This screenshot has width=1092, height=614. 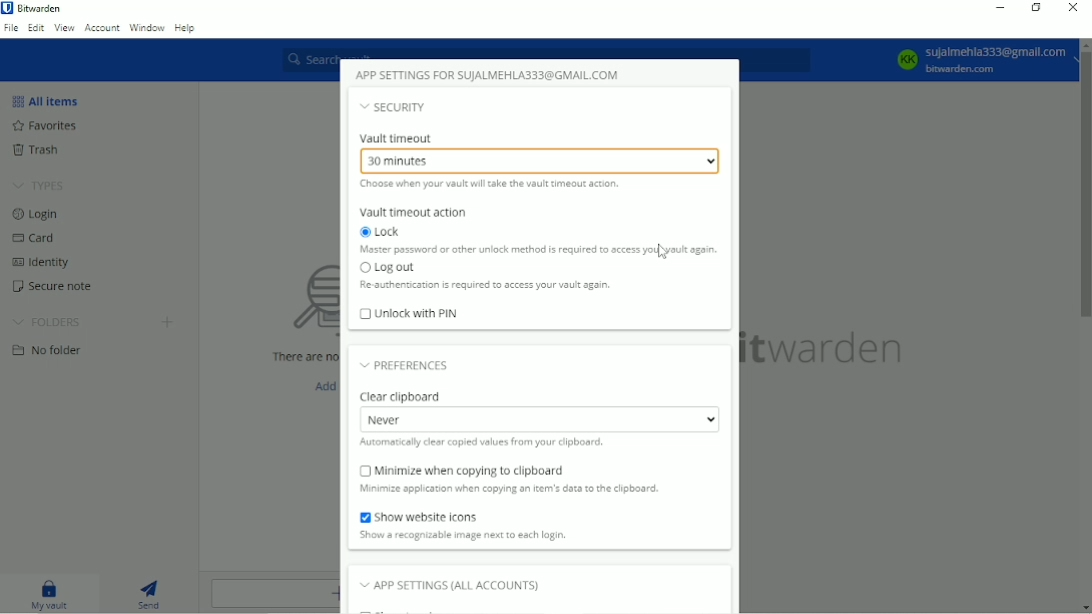 I want to click on Reauthentication is required to access your vault again., so click(x=492, y=285).